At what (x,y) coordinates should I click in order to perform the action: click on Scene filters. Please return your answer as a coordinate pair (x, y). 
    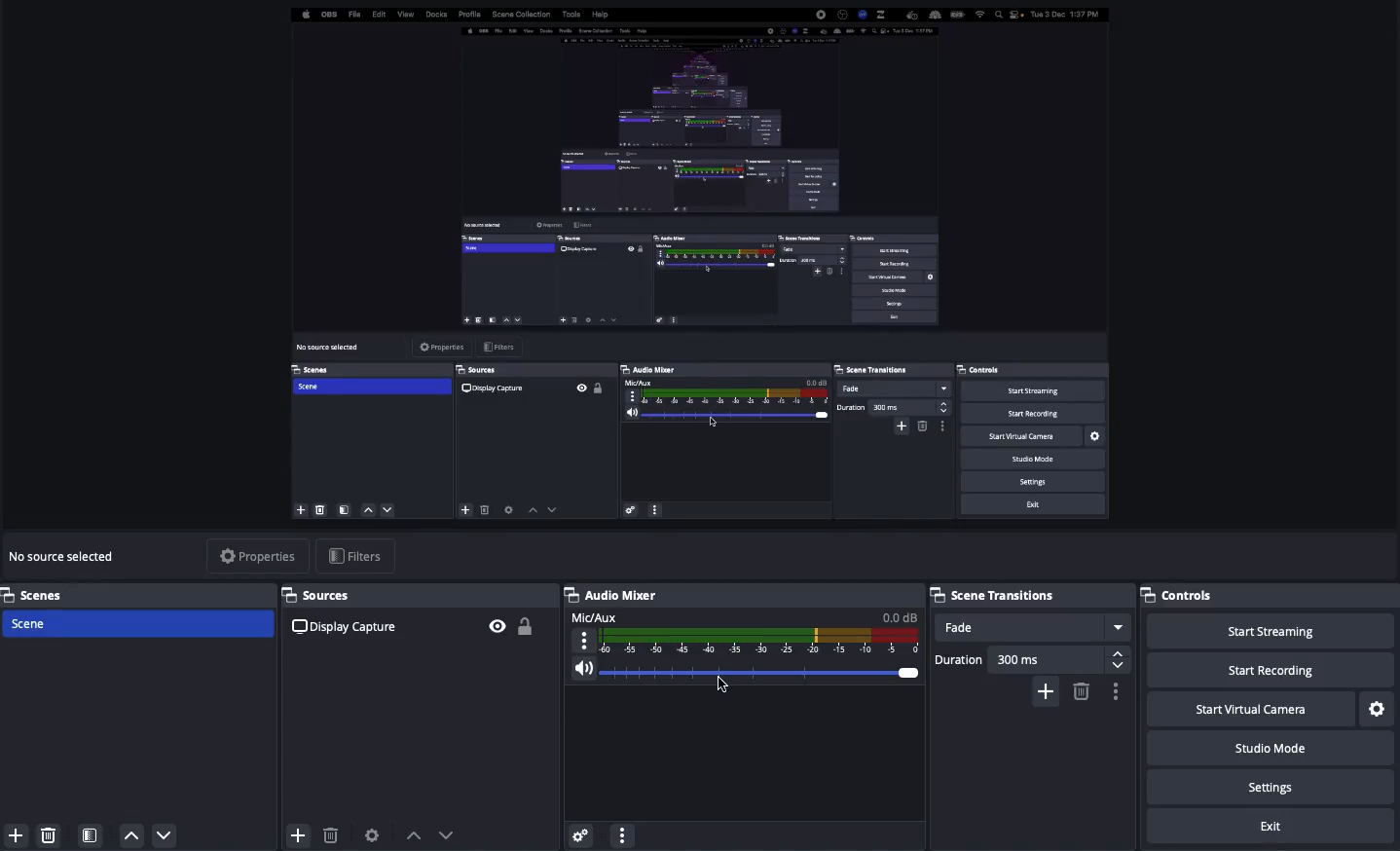
    Looking at the image, I should click on (91, 832).